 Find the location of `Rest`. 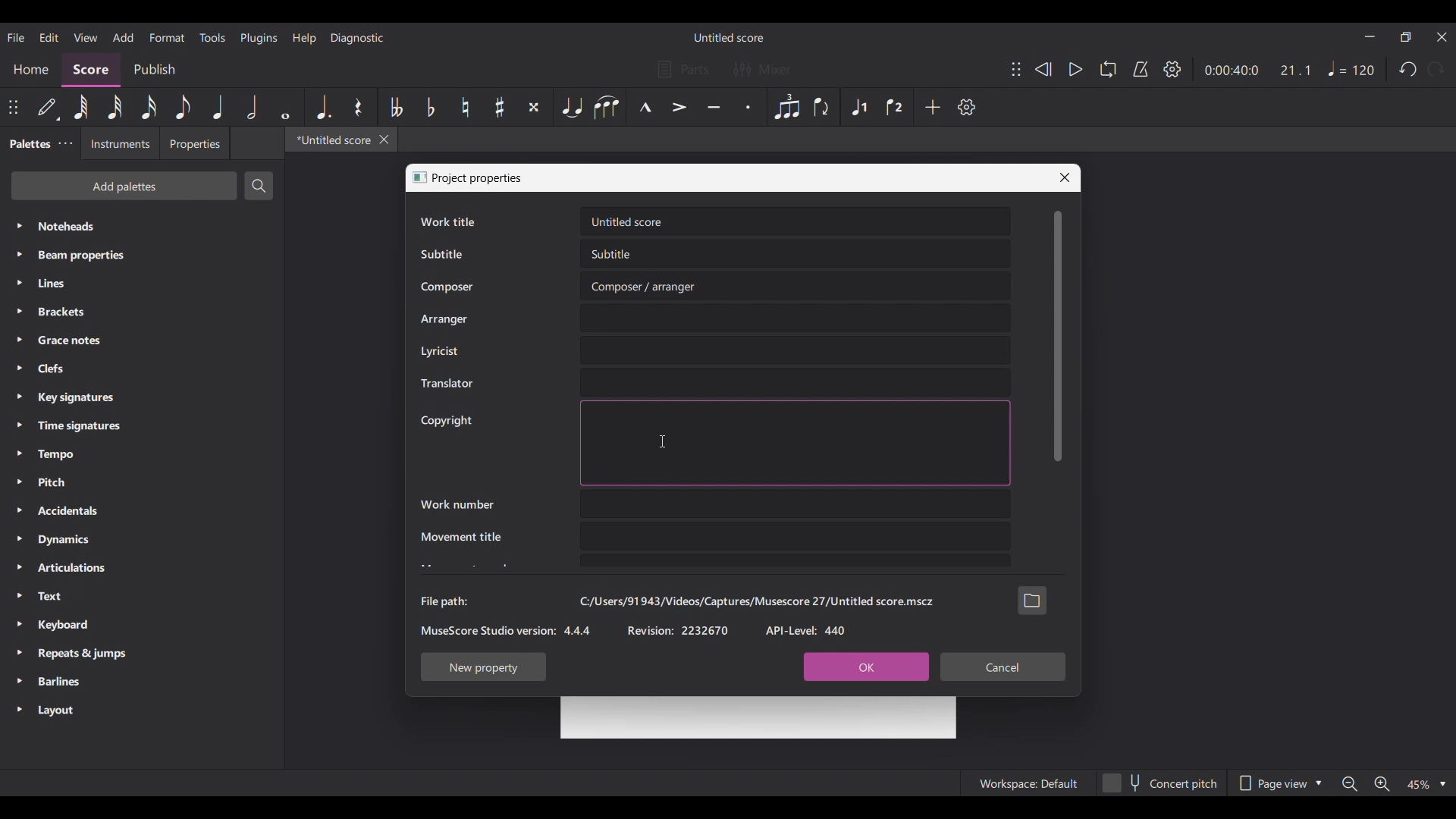

Rest is located at coordinates (359, 107).